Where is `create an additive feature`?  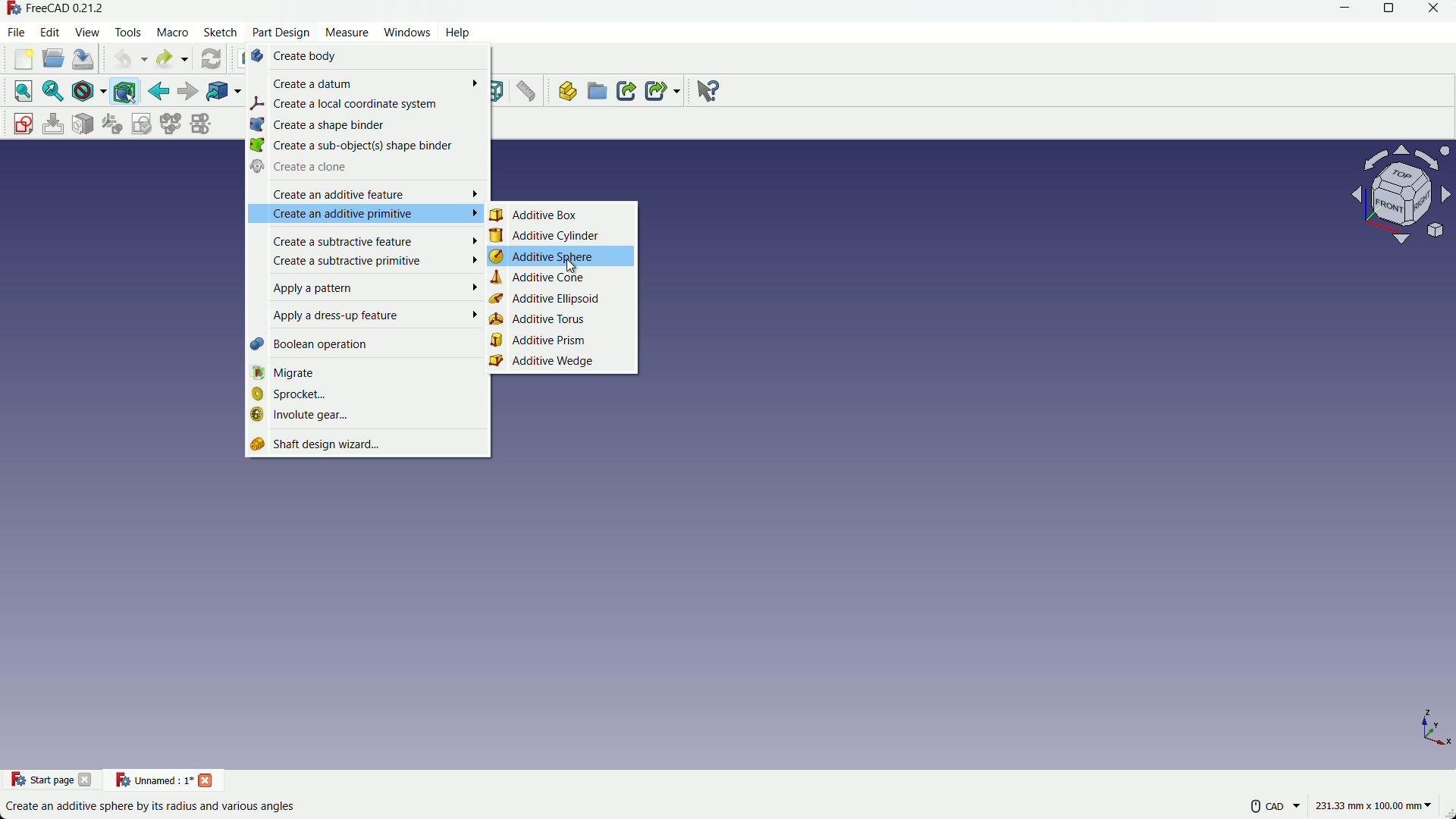
create an additive feature is located at coordinates (362, 193).